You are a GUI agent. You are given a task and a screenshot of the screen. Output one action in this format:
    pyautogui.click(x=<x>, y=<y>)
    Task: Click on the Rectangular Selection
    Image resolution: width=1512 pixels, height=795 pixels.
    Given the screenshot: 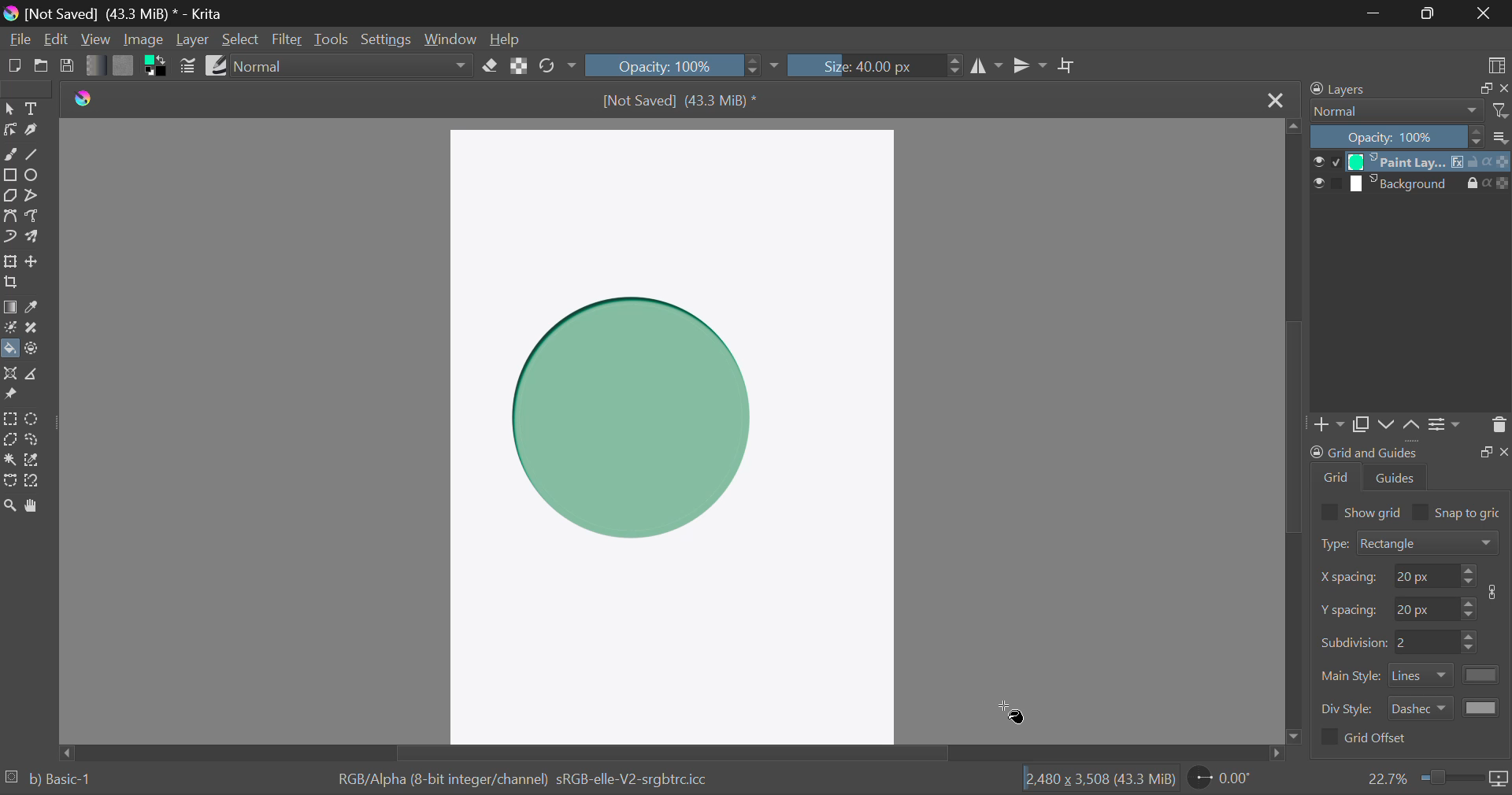 What is the action you would take?
    pyautogui.click(x=9, y=419)
    